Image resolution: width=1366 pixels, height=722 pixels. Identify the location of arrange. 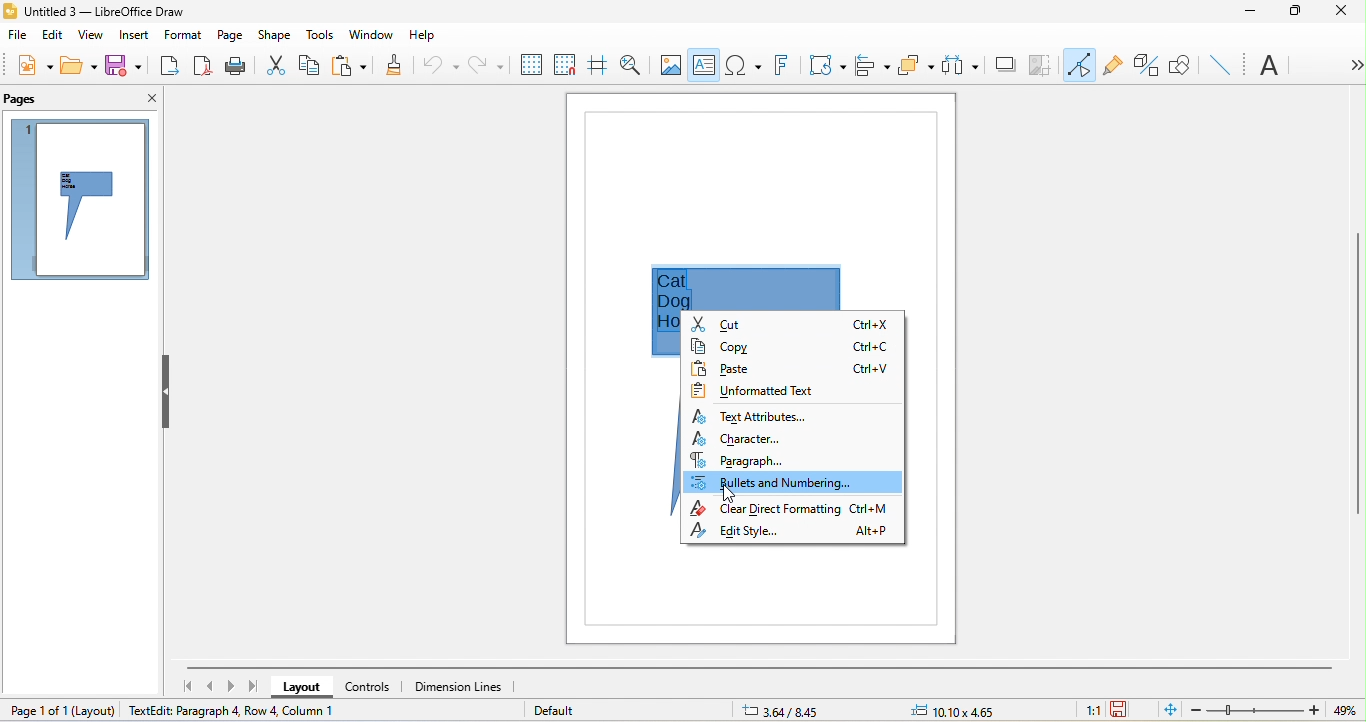
(917, 66).